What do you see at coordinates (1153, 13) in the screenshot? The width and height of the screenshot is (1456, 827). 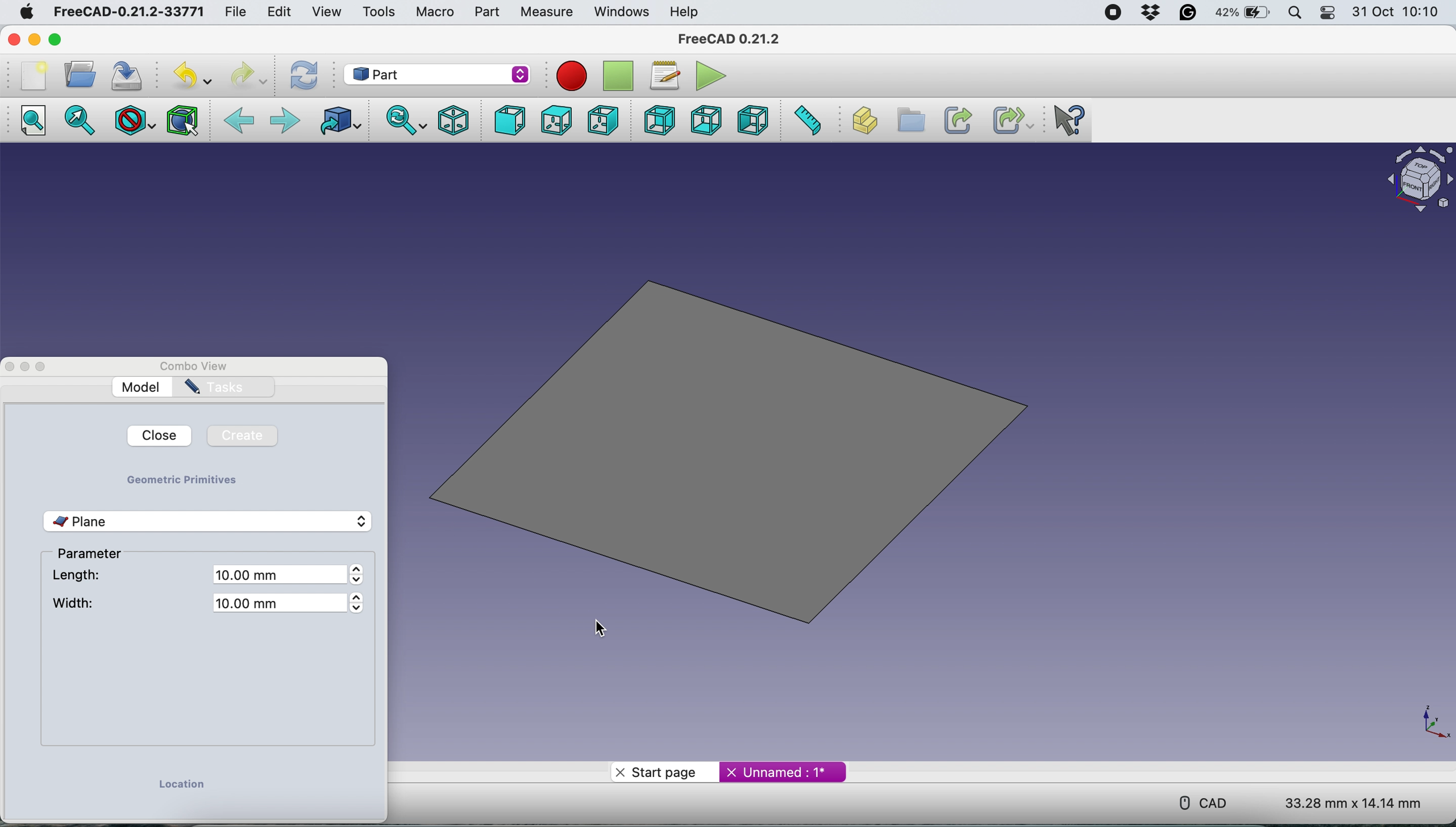 I see `Dropbox` at bounding box center [1153, 13].